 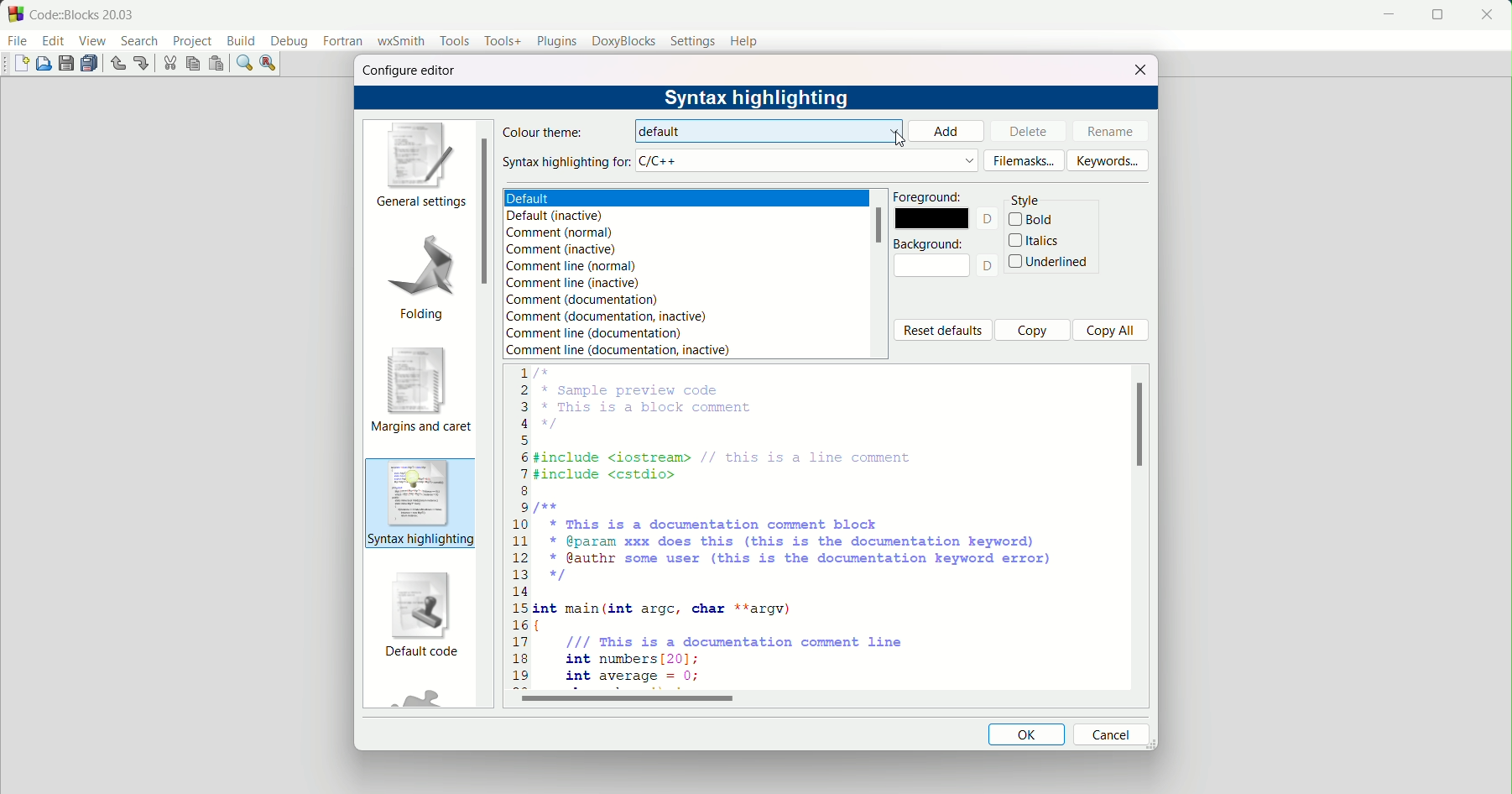 What do you see at coordinates (454, 41) in the screenshot?
I see `tools` at bounding box center [454, 41].